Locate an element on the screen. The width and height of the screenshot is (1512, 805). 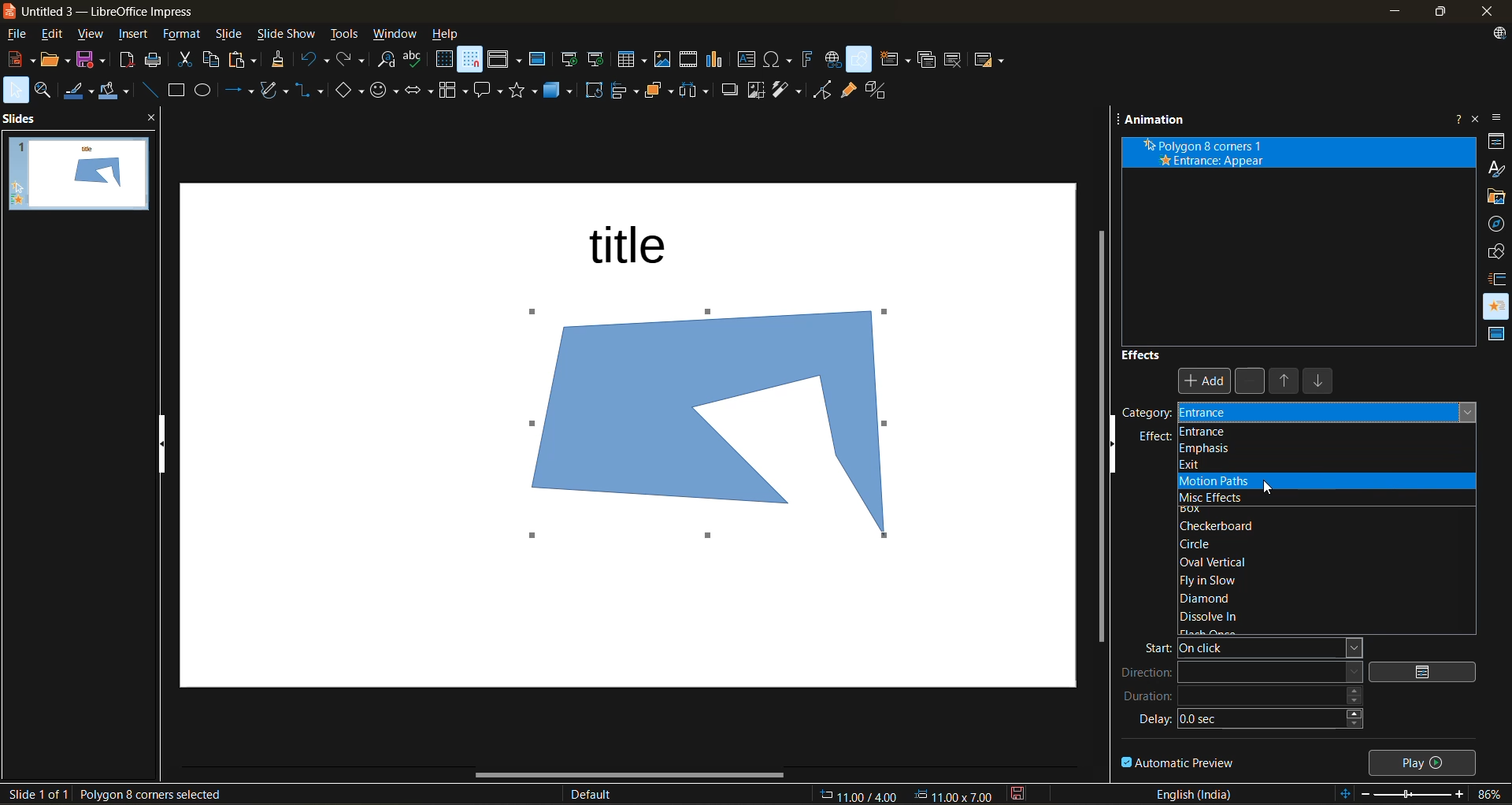
cursor is located at coordinates (1271, 487).